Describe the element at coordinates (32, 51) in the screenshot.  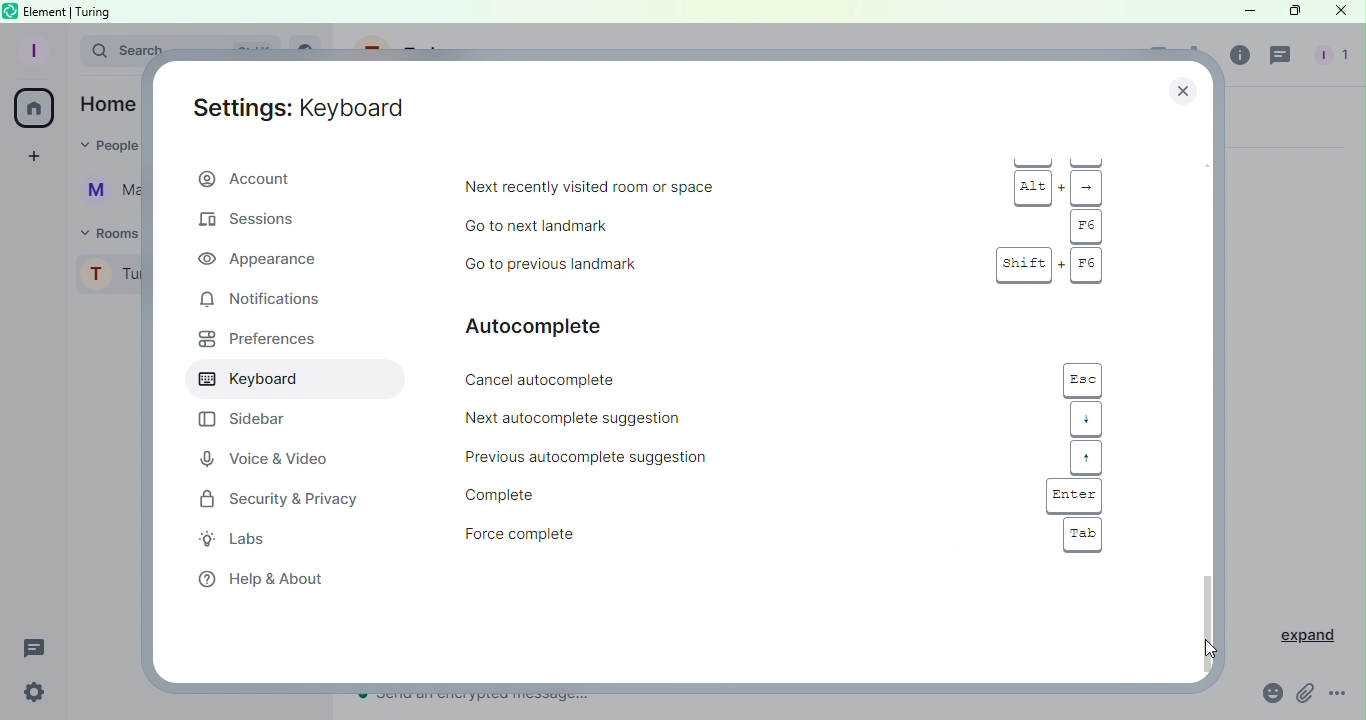
I see `Profile` at that location.